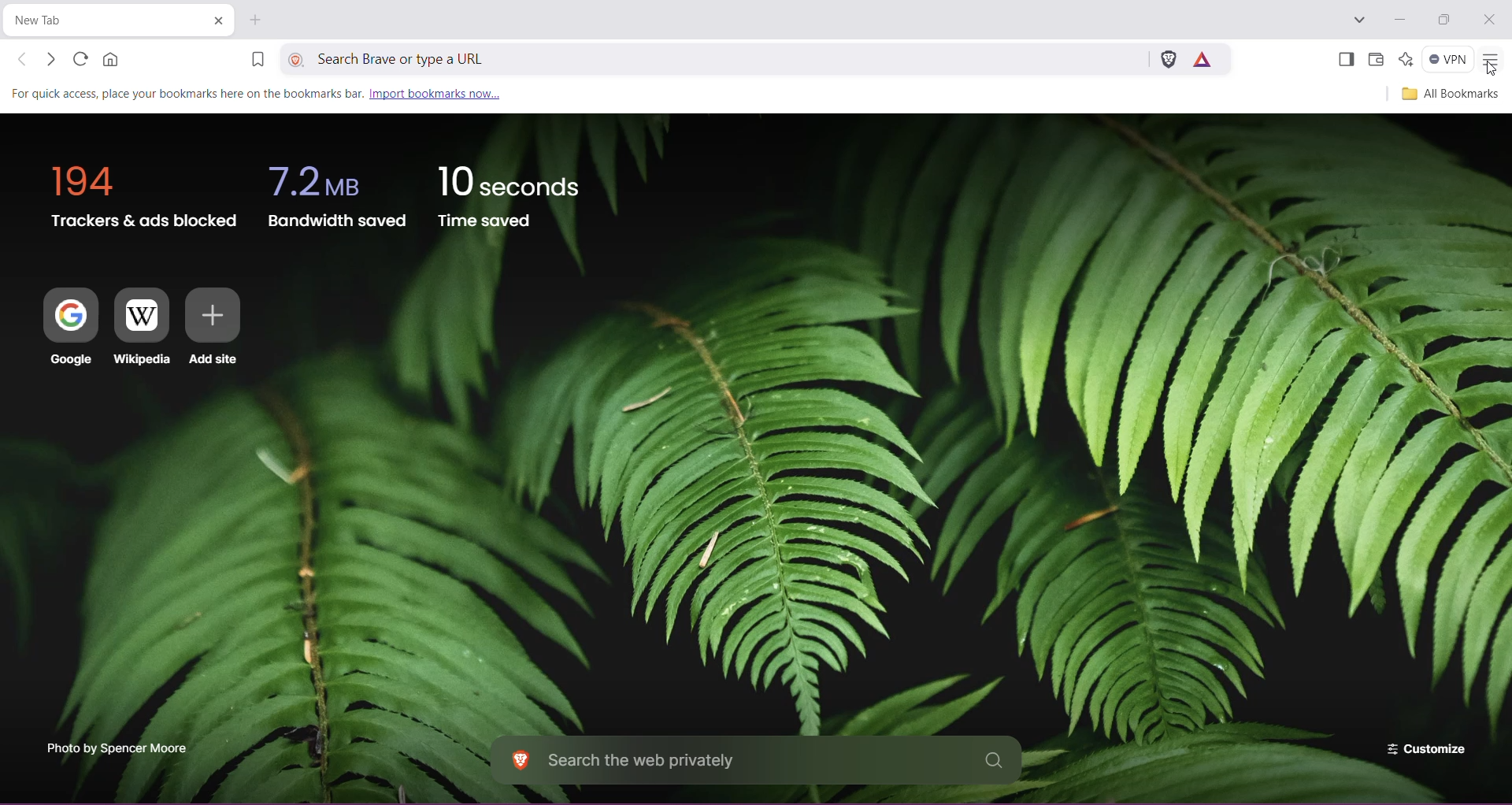 The height and width of the screenshot is (805, 1512). What do you see at coordinates (1425, 747) in the screenshot?
I see `Customize` at bounding box center [1425, 747].